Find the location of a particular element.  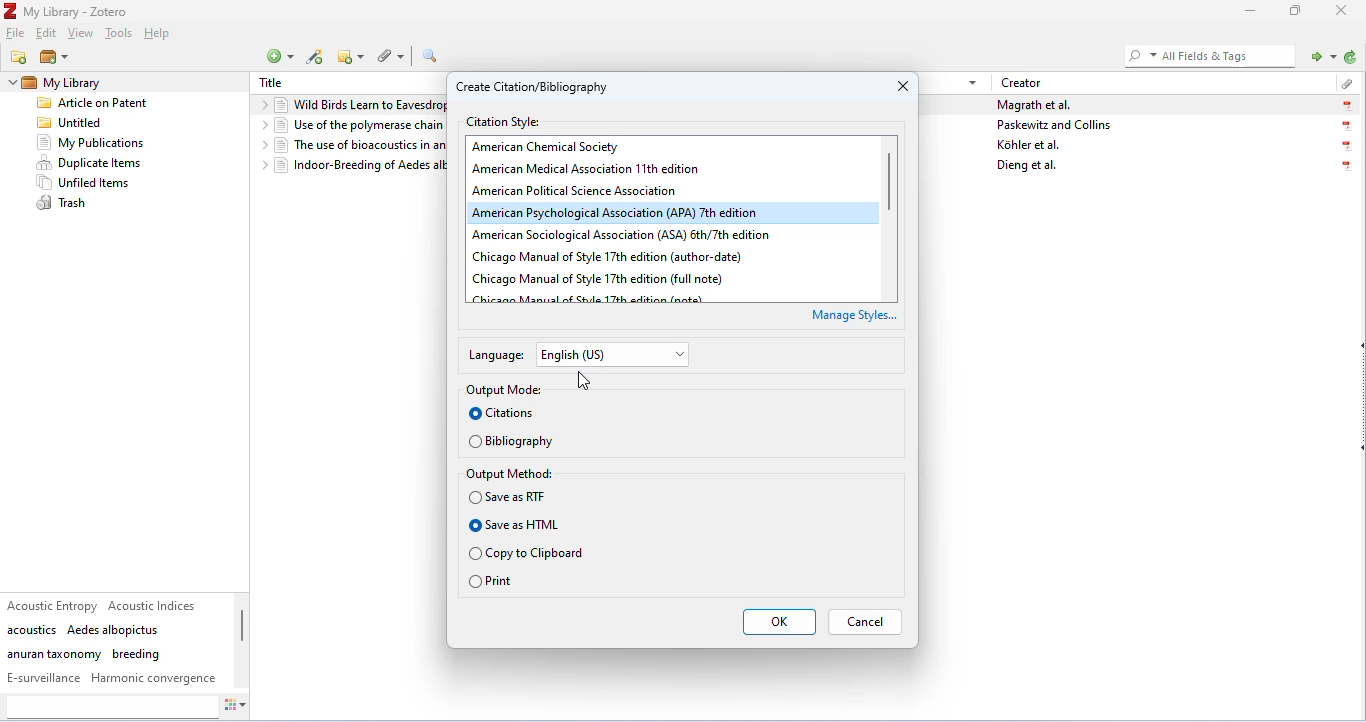

help is located at coordinates (160, 34).